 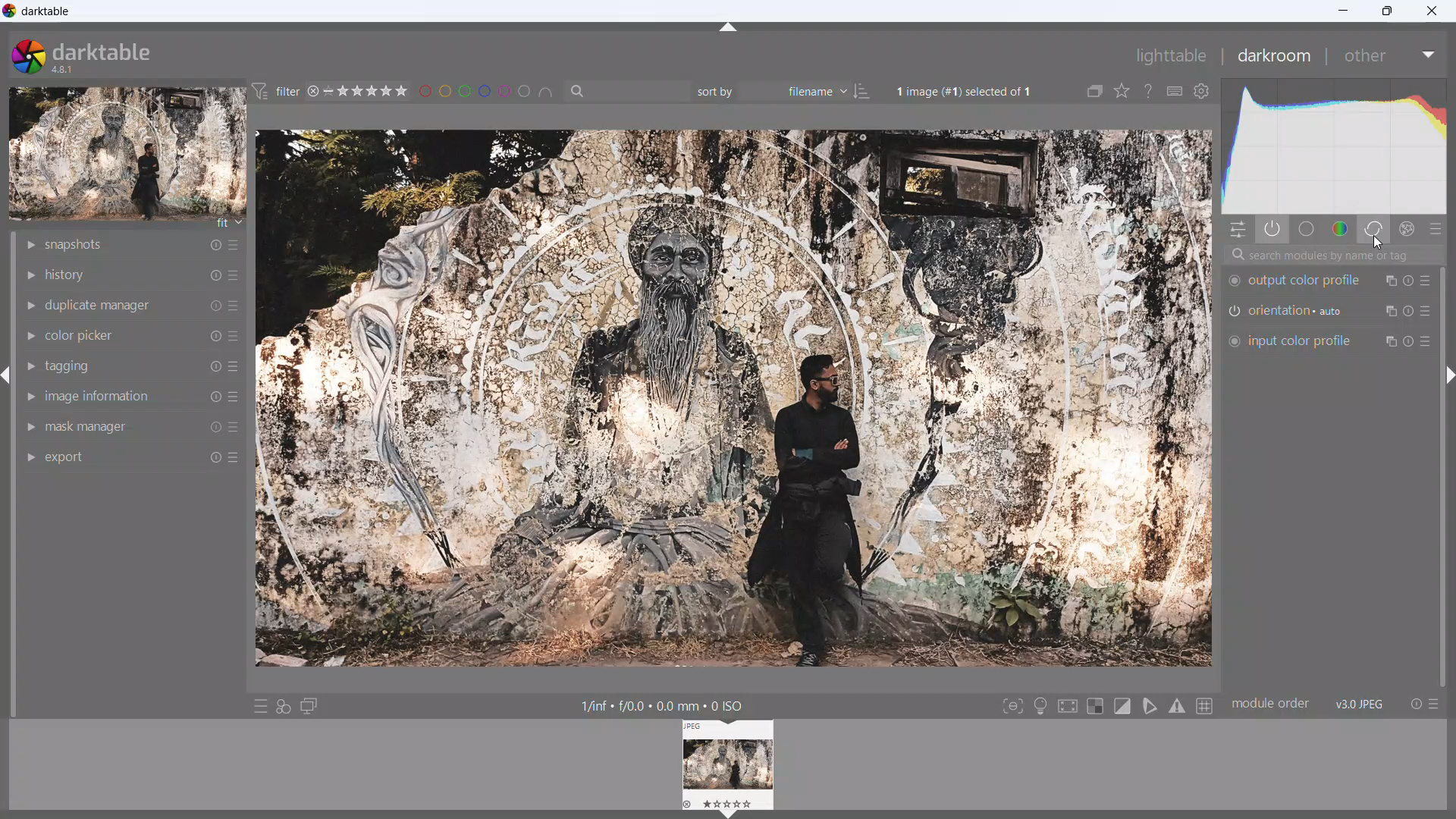 What do you see at coordinates (235, 245) in the screenshot?
I see `more options` at bounding box center [235, 245].